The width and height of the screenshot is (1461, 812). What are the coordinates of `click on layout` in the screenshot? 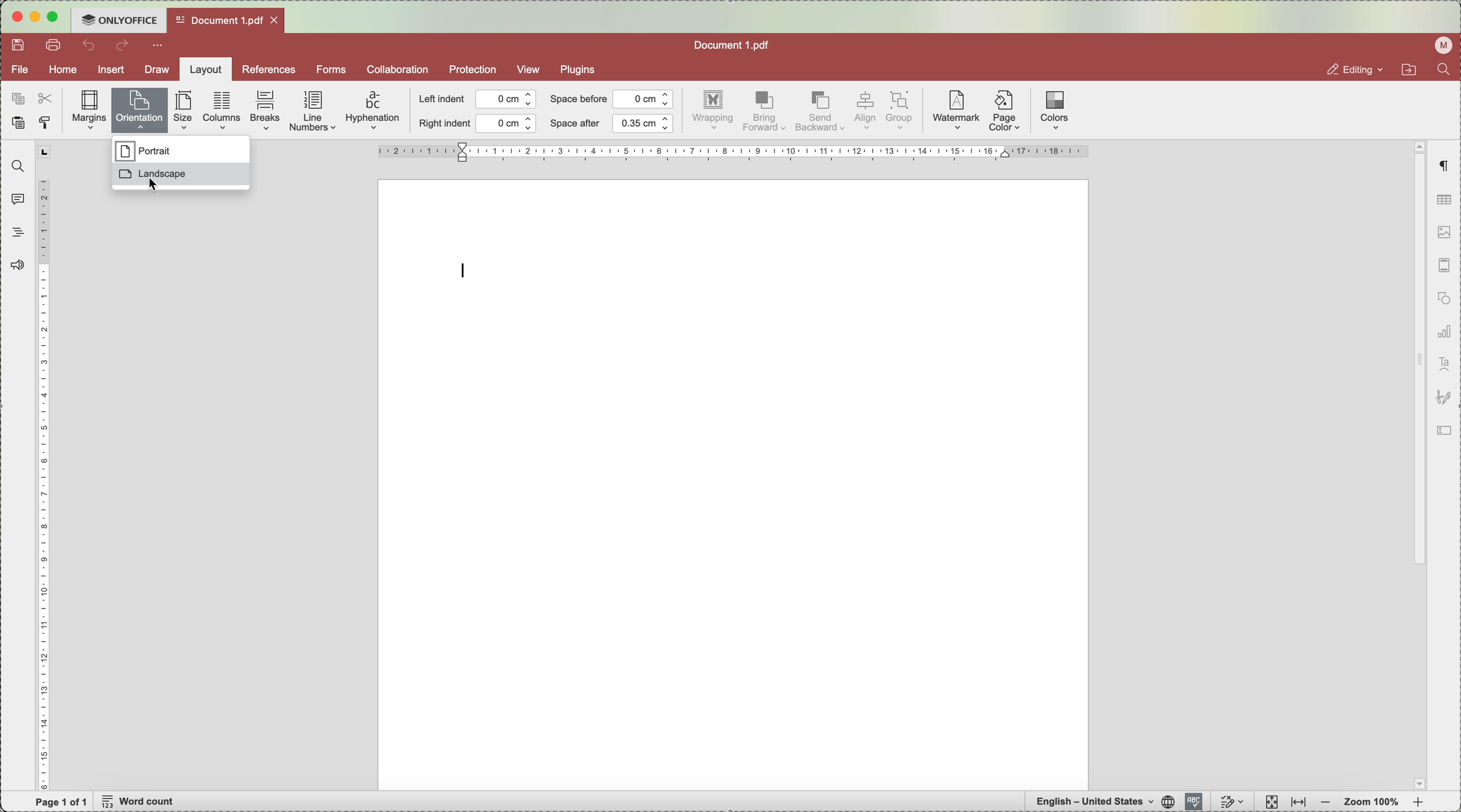 It's located at (204, 73).